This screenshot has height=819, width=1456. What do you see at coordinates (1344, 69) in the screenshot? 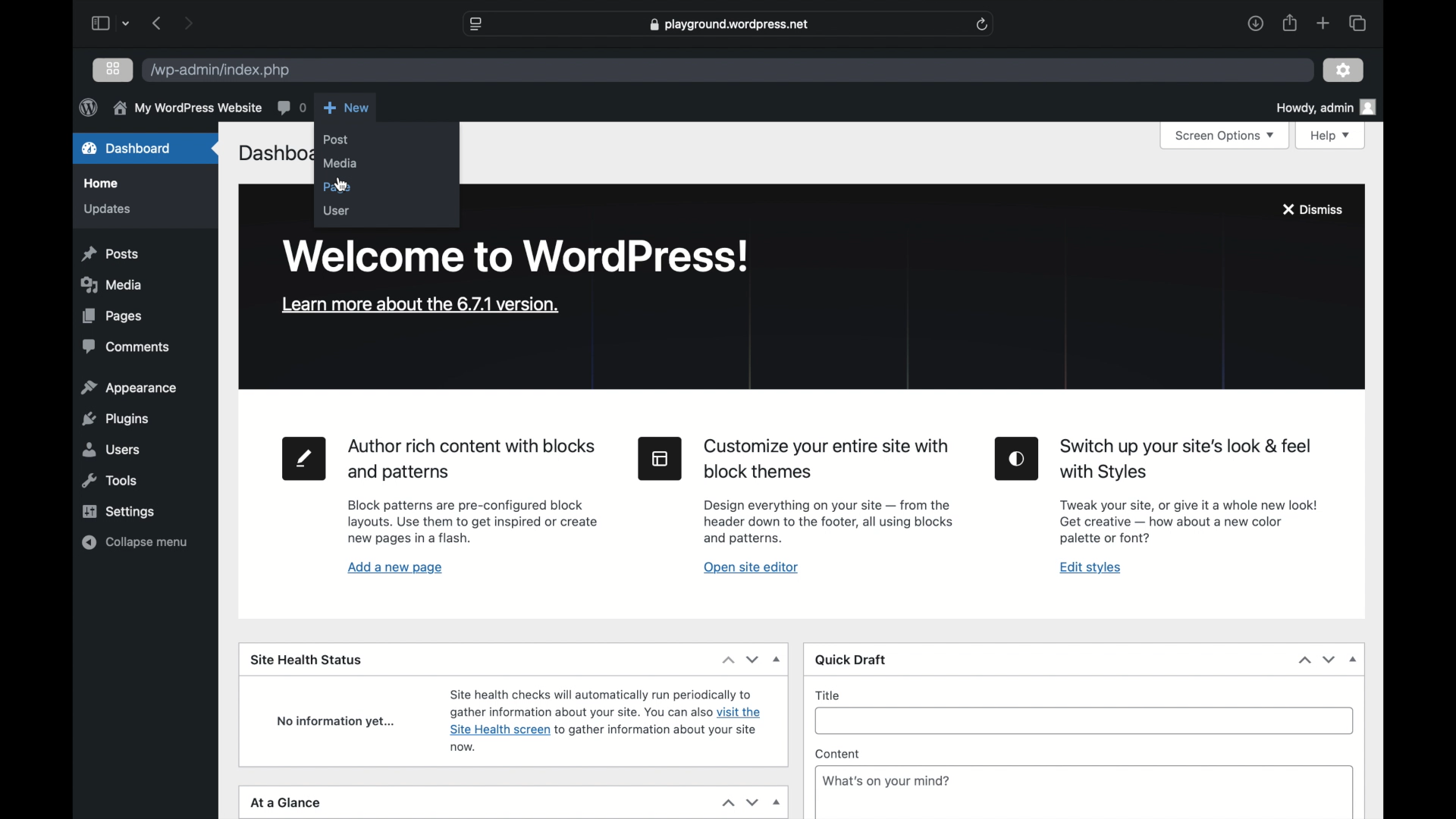
I see `settings` at bounding box center [1344, 69].